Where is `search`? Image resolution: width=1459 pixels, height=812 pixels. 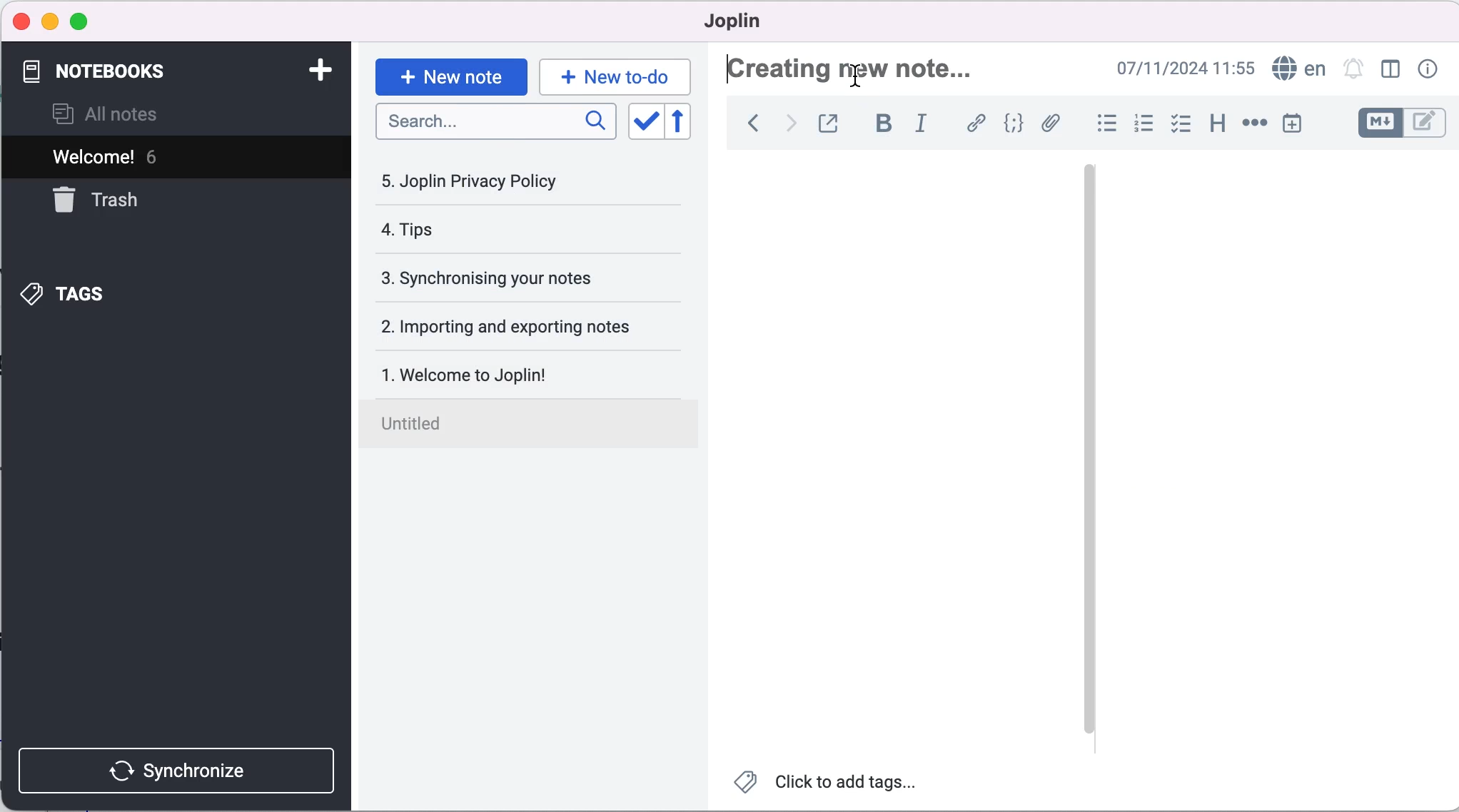 search is located at coordinates (497, 126).